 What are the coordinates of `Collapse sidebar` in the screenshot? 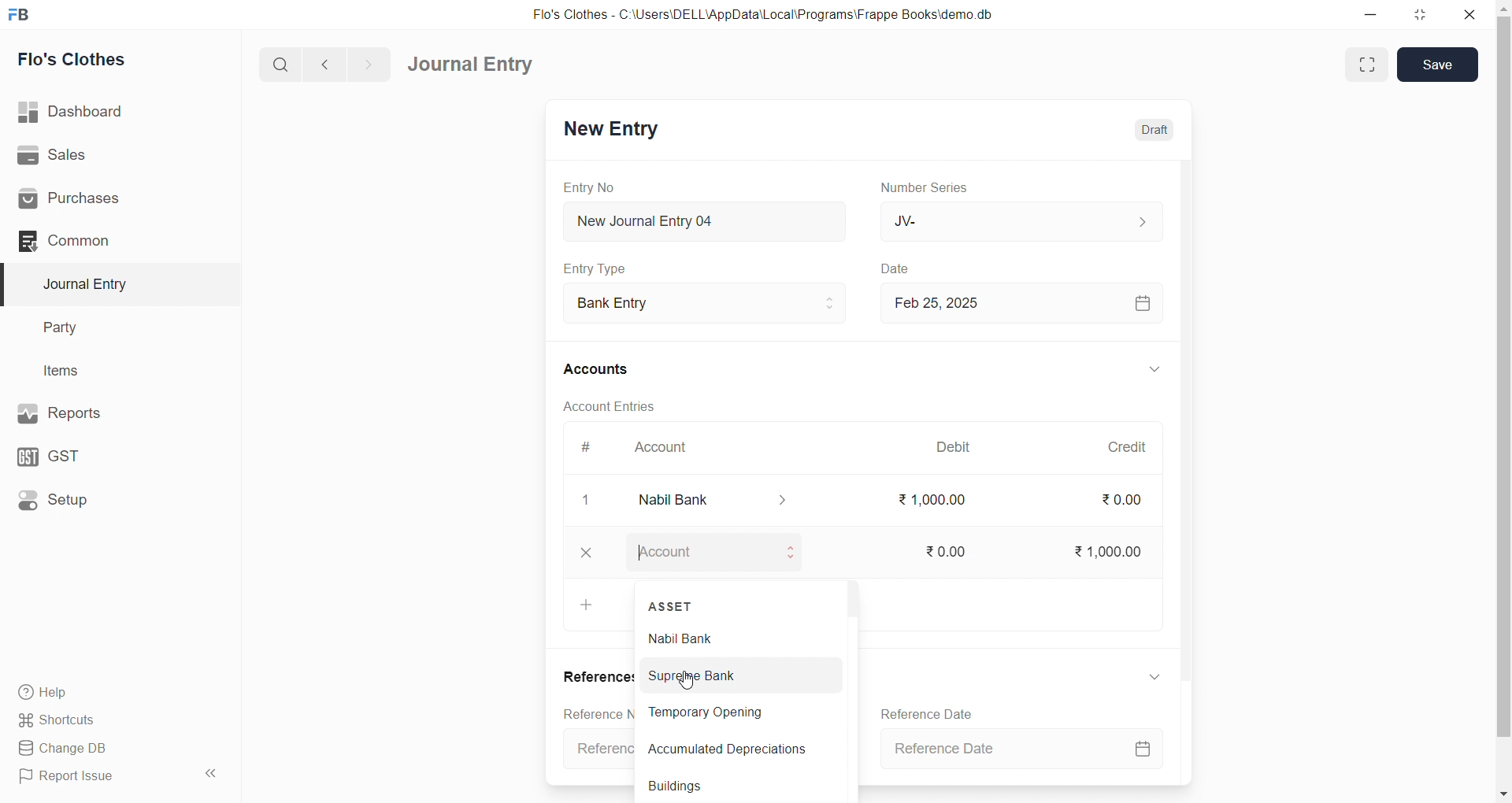 It's located at (213, 776).